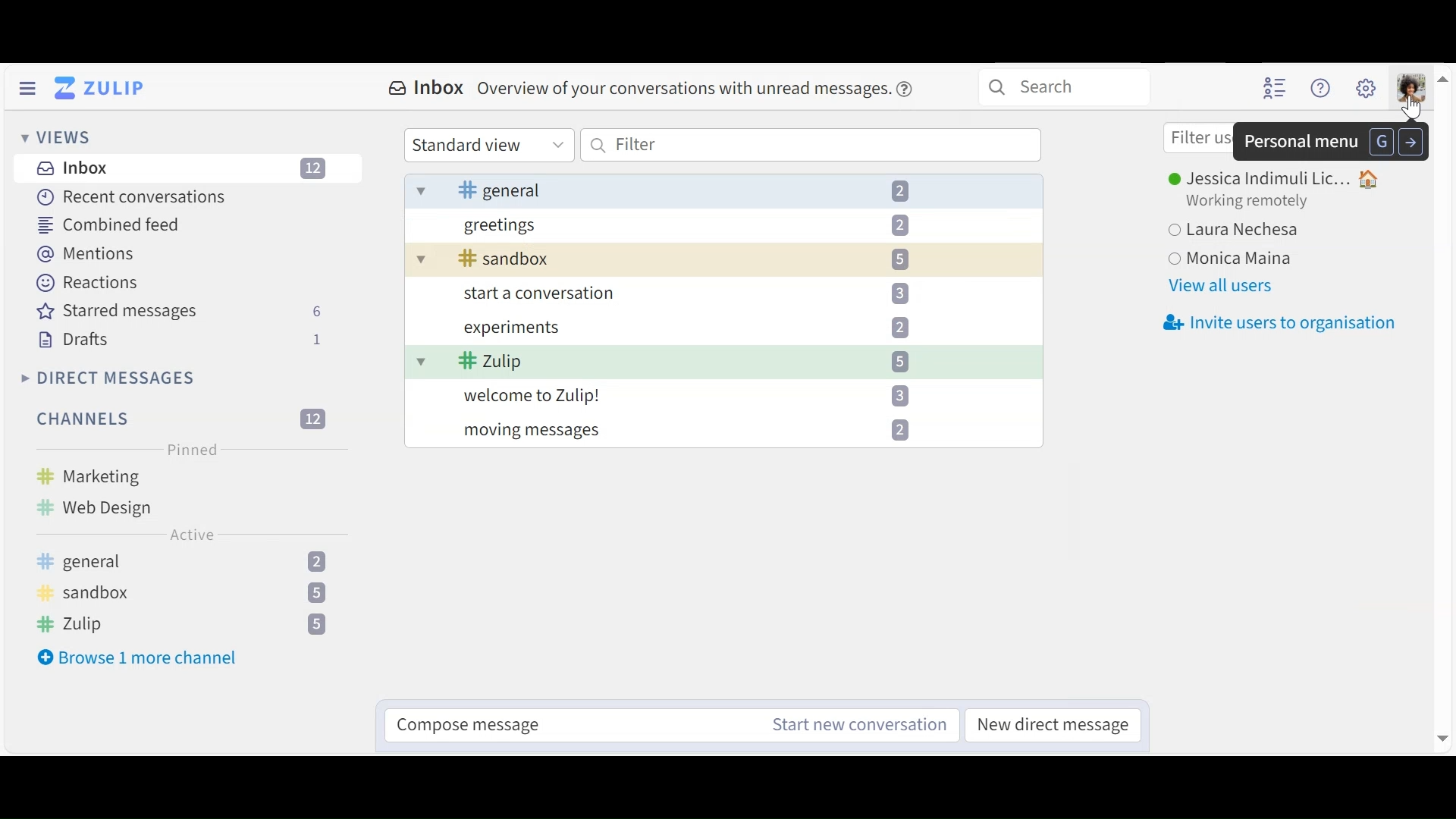  Describe the element at coordinates (108, 378) in the screenshot. I see `Direct Messages` at that location.